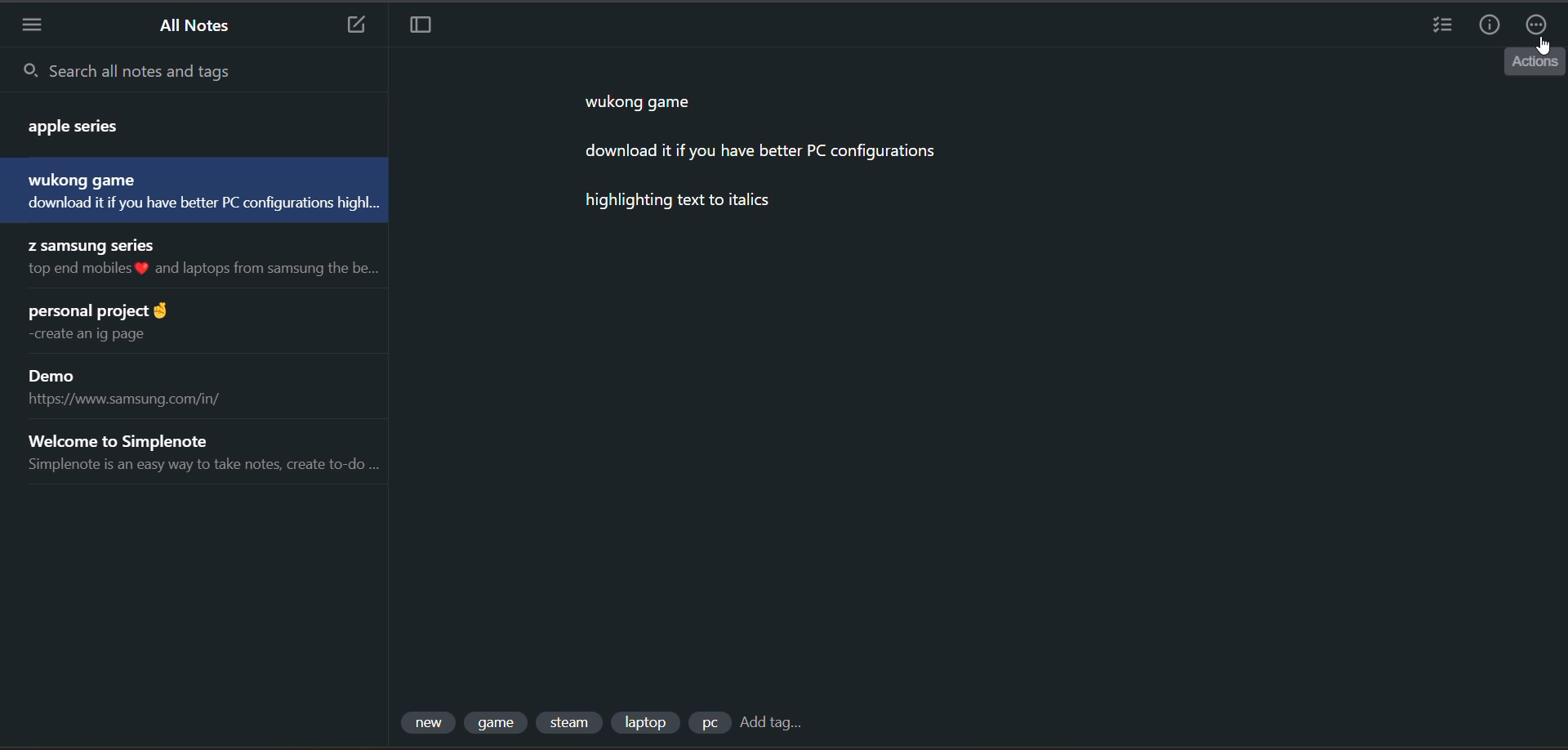  I want to click on note title and preview, so click(143, 389).